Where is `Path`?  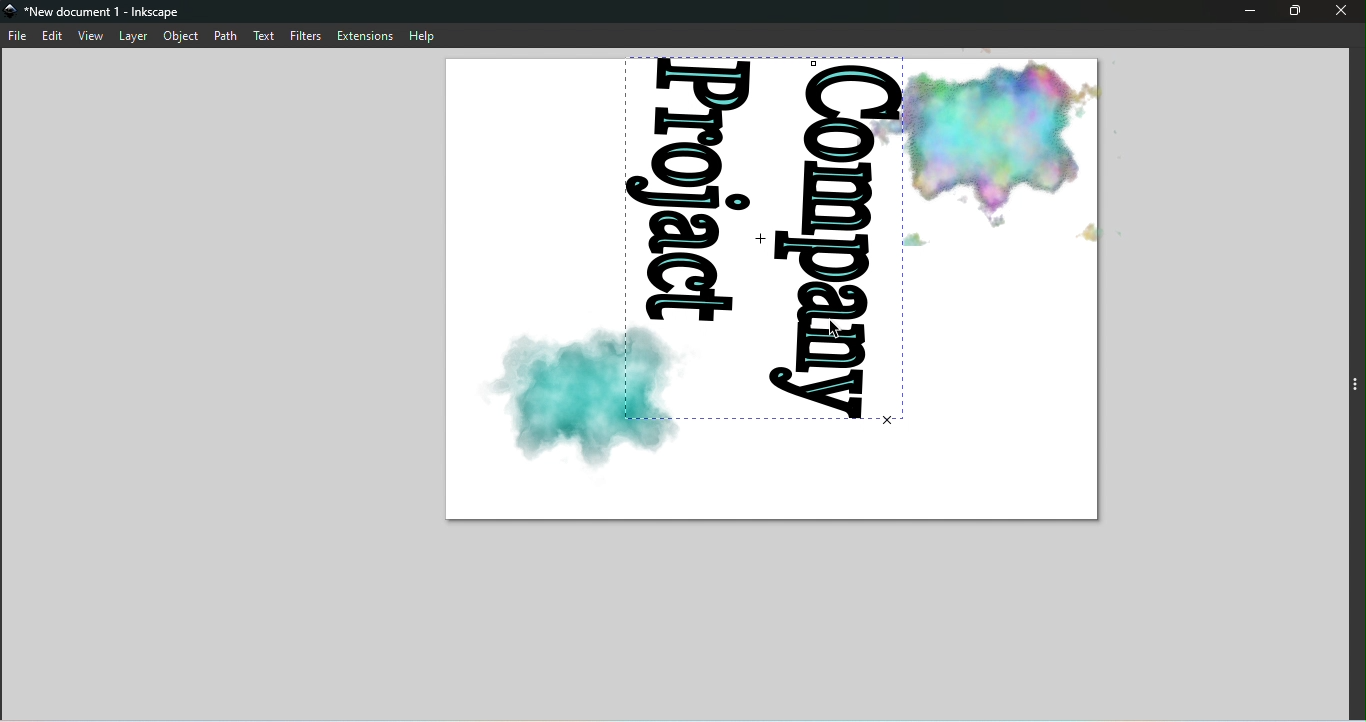 Path is located at coordinates (227, 35).